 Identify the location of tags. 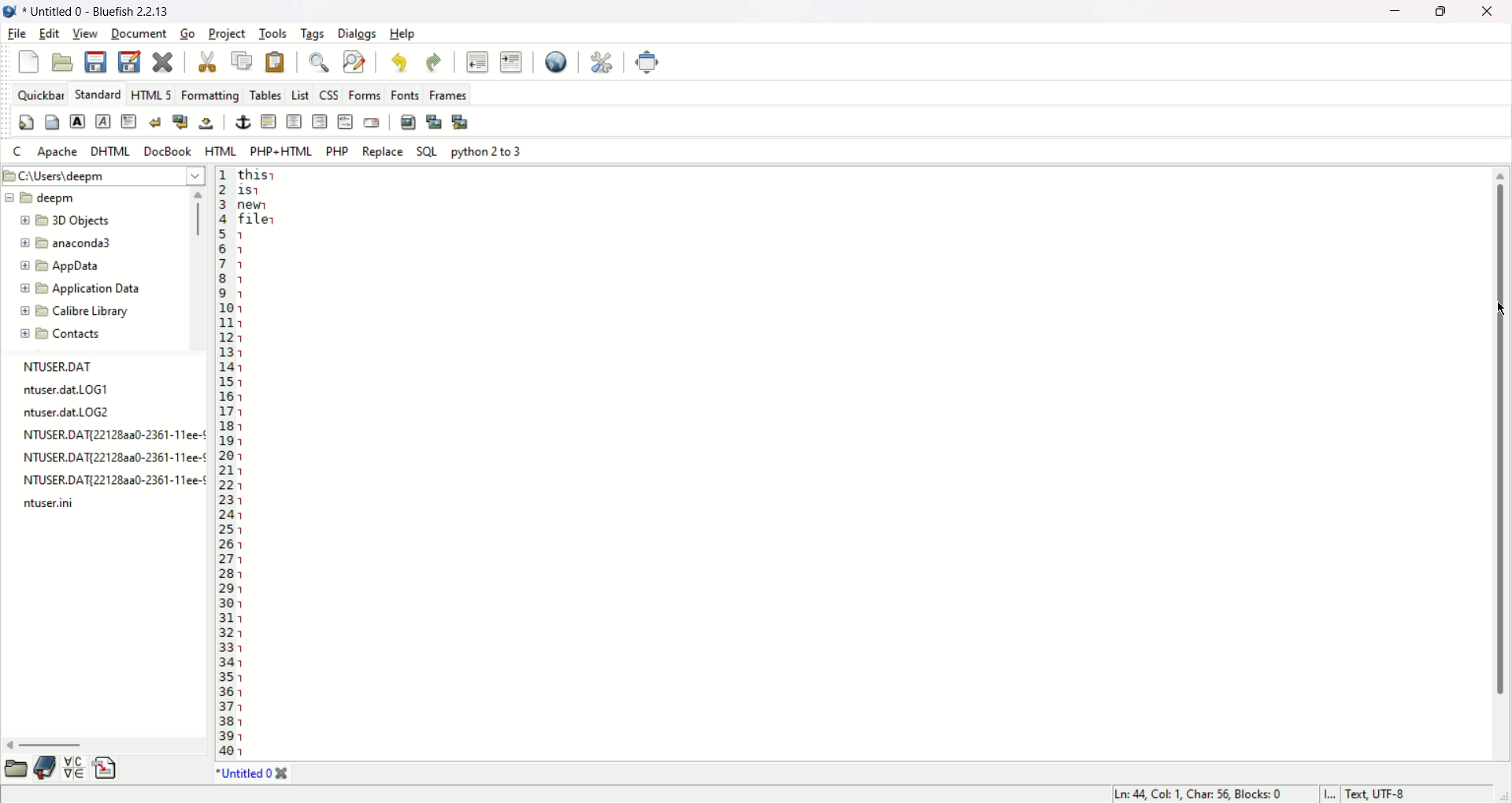
(313, 35).